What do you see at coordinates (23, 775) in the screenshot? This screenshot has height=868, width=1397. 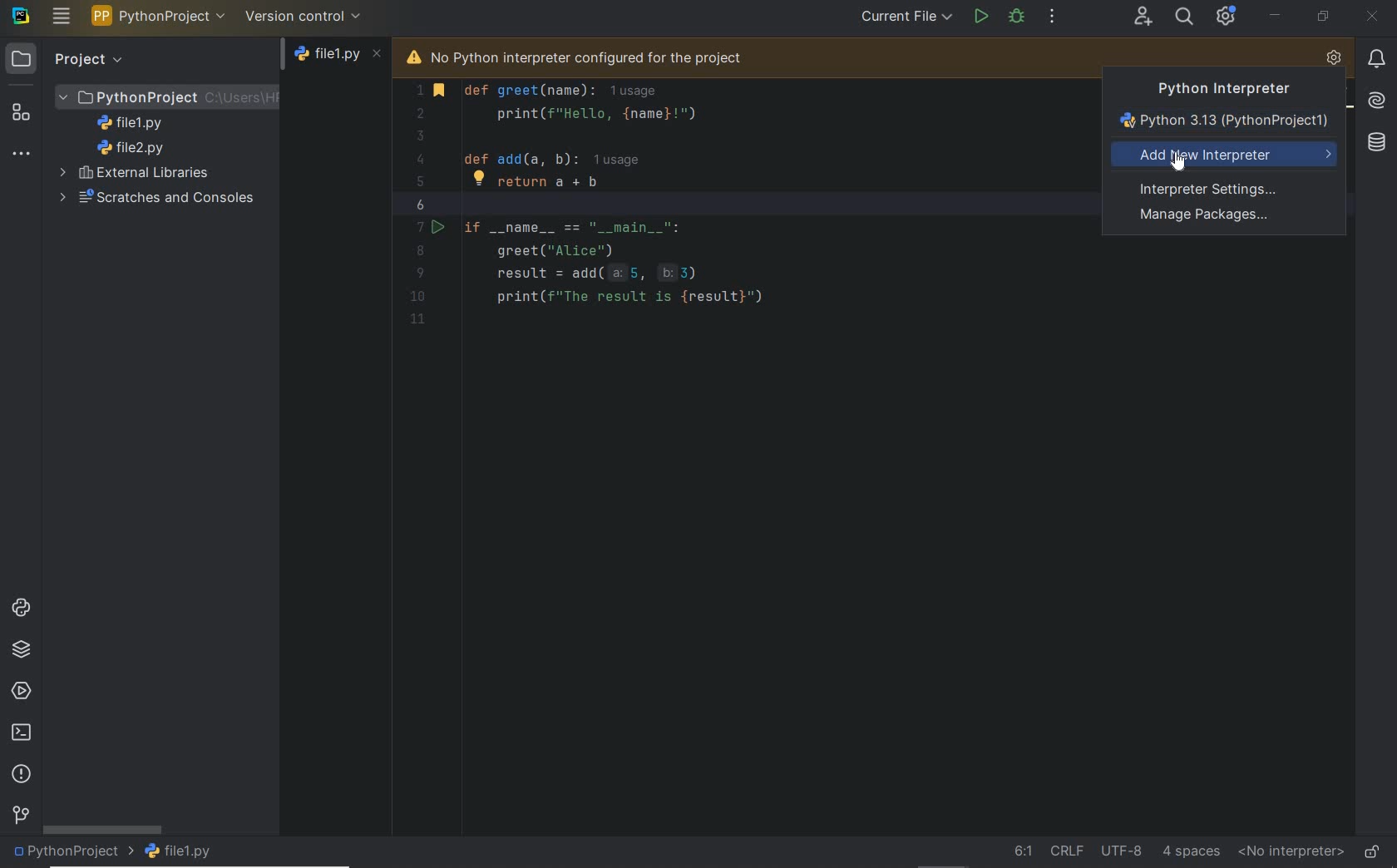 I see `problems` at bounding box center [23, 775].